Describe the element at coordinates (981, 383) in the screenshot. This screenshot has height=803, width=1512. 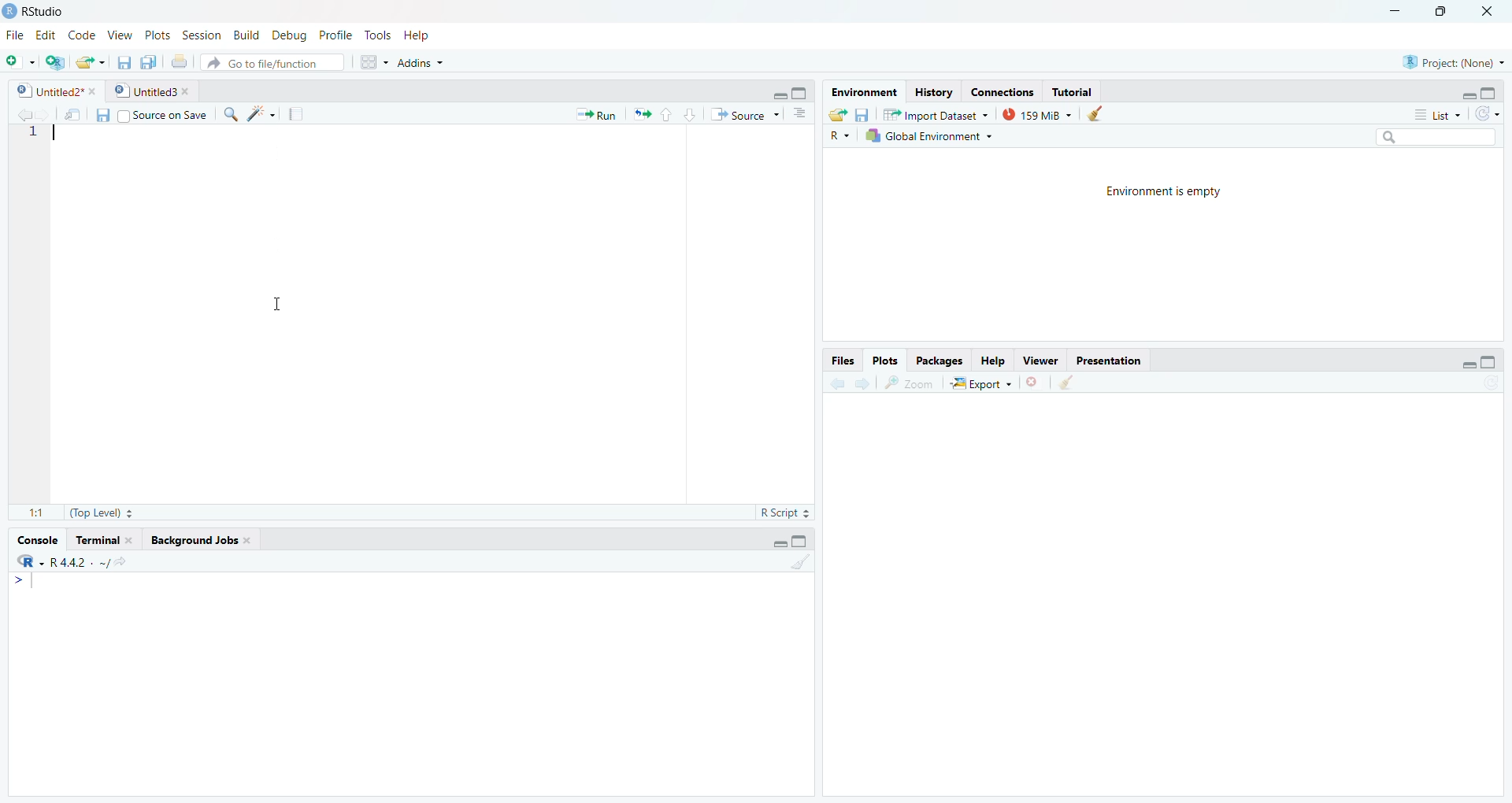
I see `Export ` at that location.